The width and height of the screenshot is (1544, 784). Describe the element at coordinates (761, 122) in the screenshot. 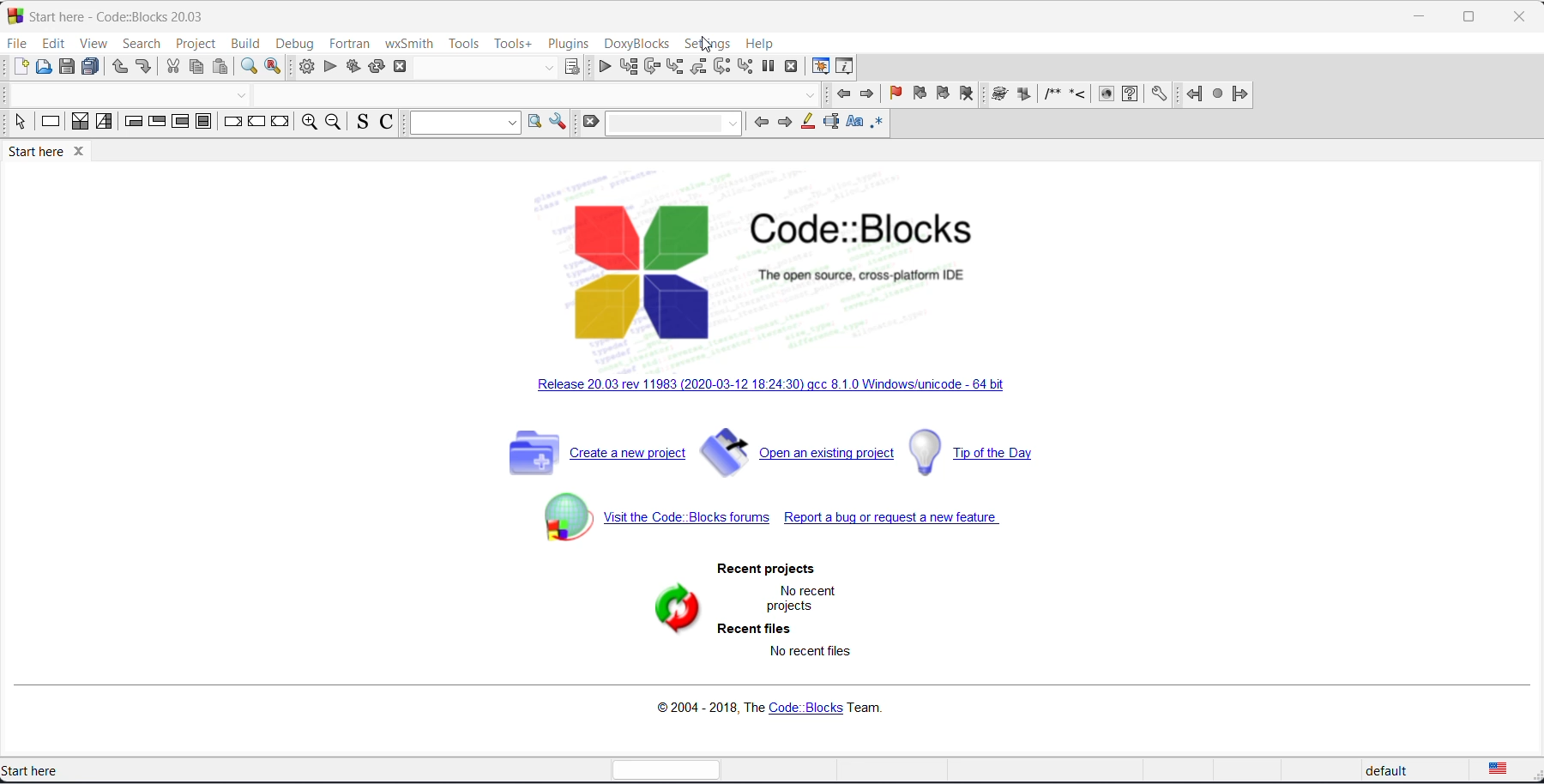

I see `go back` at that location.